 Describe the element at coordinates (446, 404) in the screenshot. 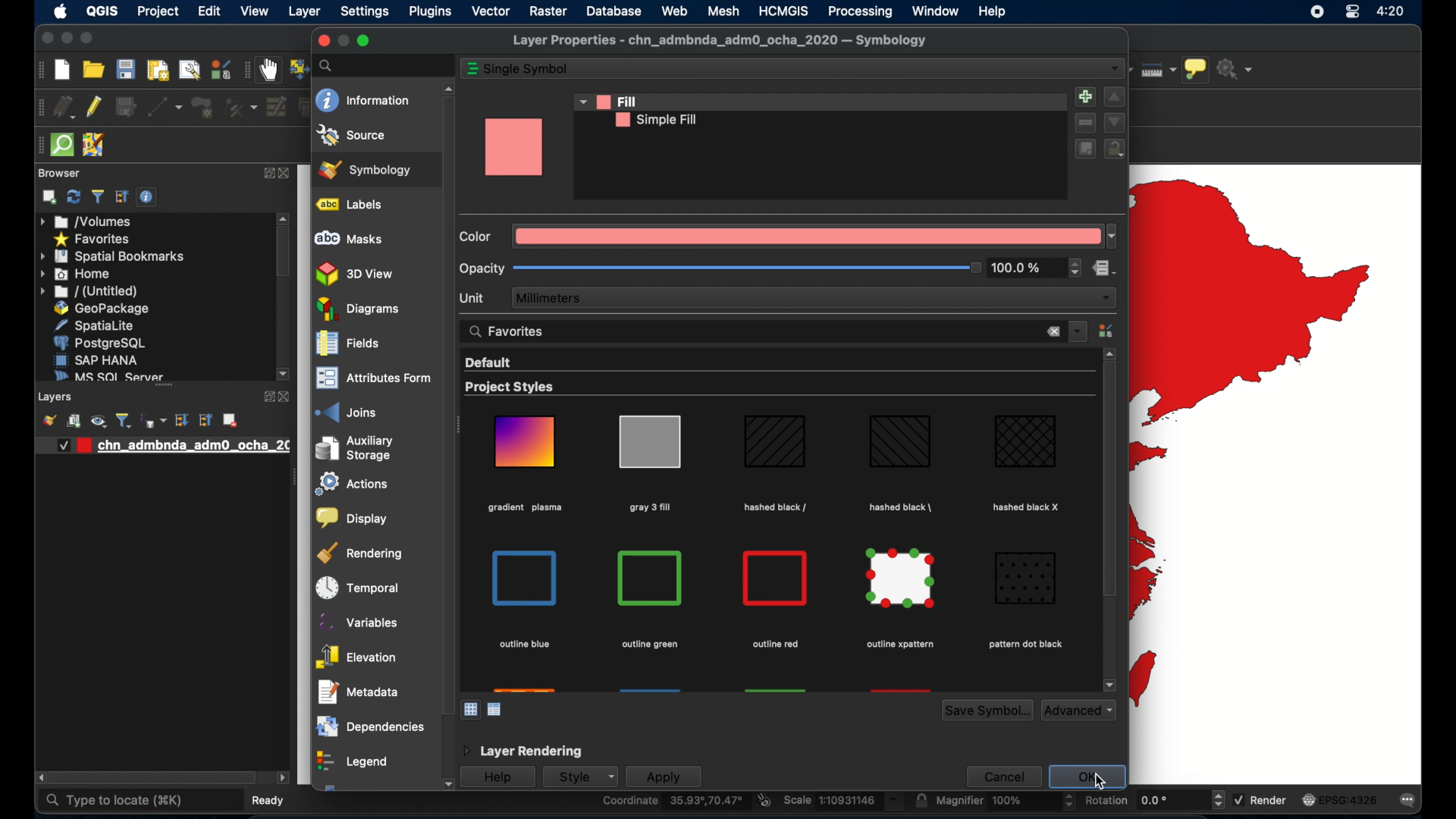

I see `scroll box` at that location.